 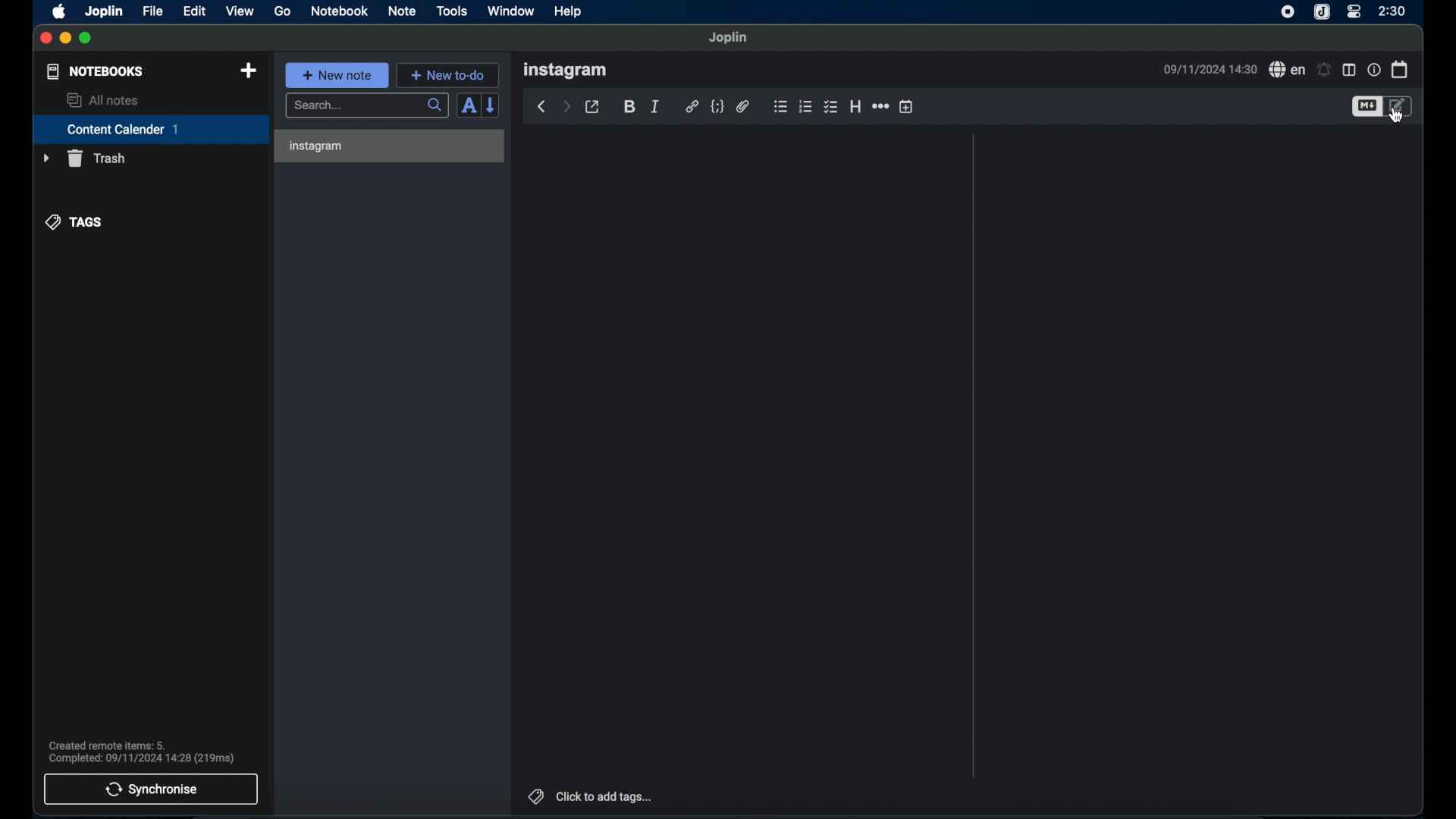 I want to click on code, so click(x=717, y=107).